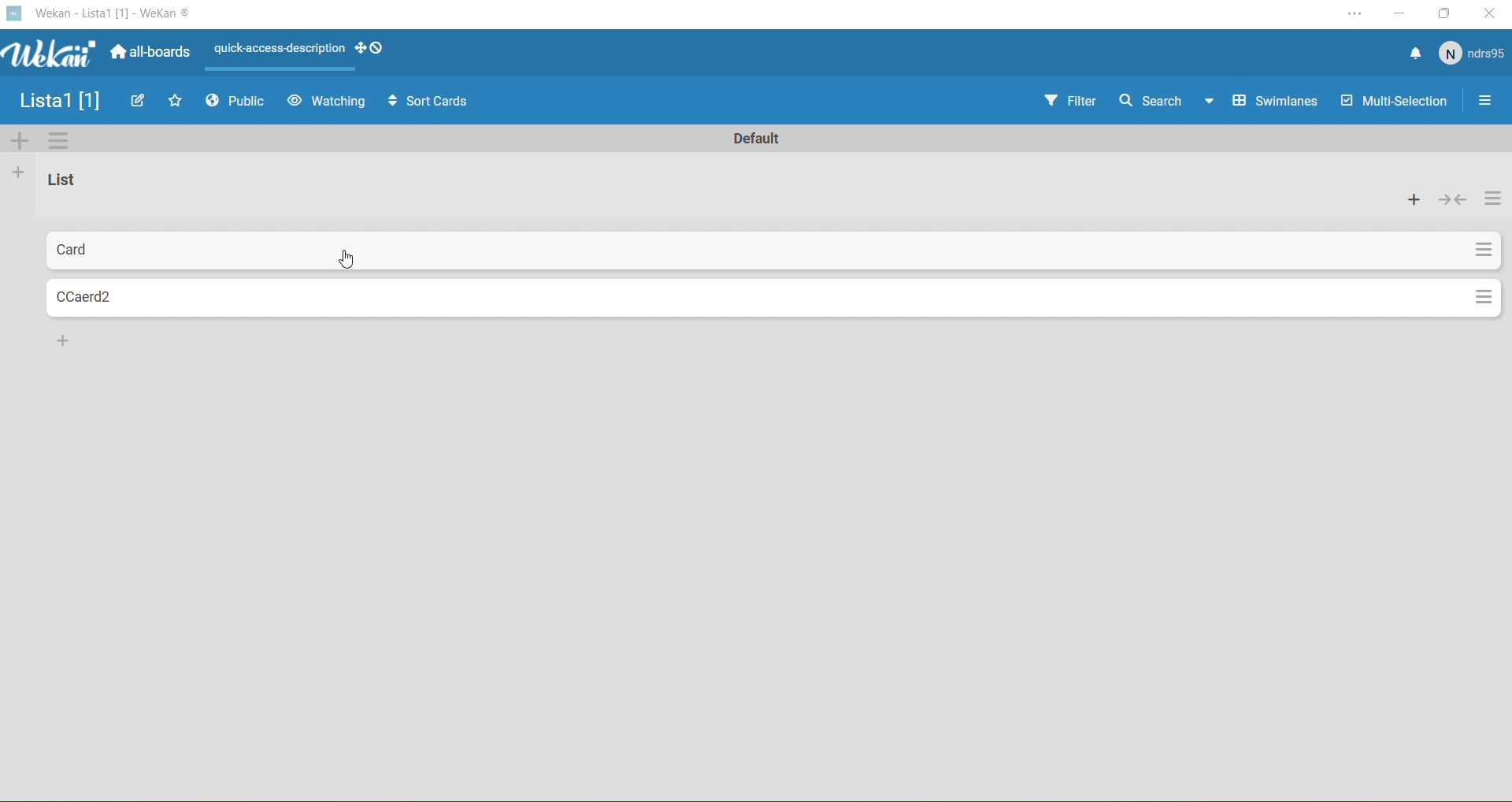  Describe the element at coordinates (749, 297) in the screenshot. I see `Card2` at that location.